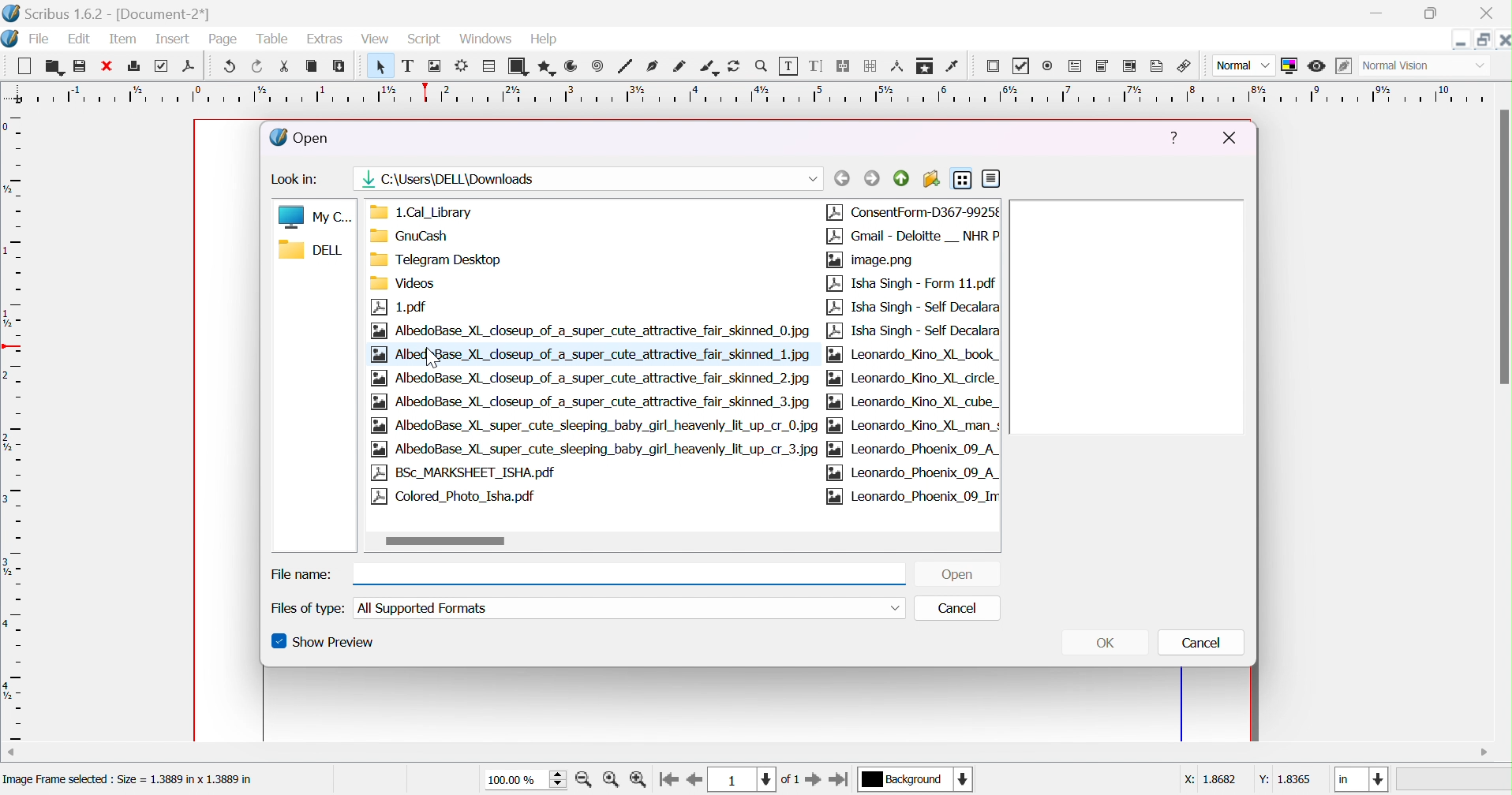  What do you see at coordinates (1244, 66) in the screenshot?
I see `normal` at bounding box center [1244, 66].